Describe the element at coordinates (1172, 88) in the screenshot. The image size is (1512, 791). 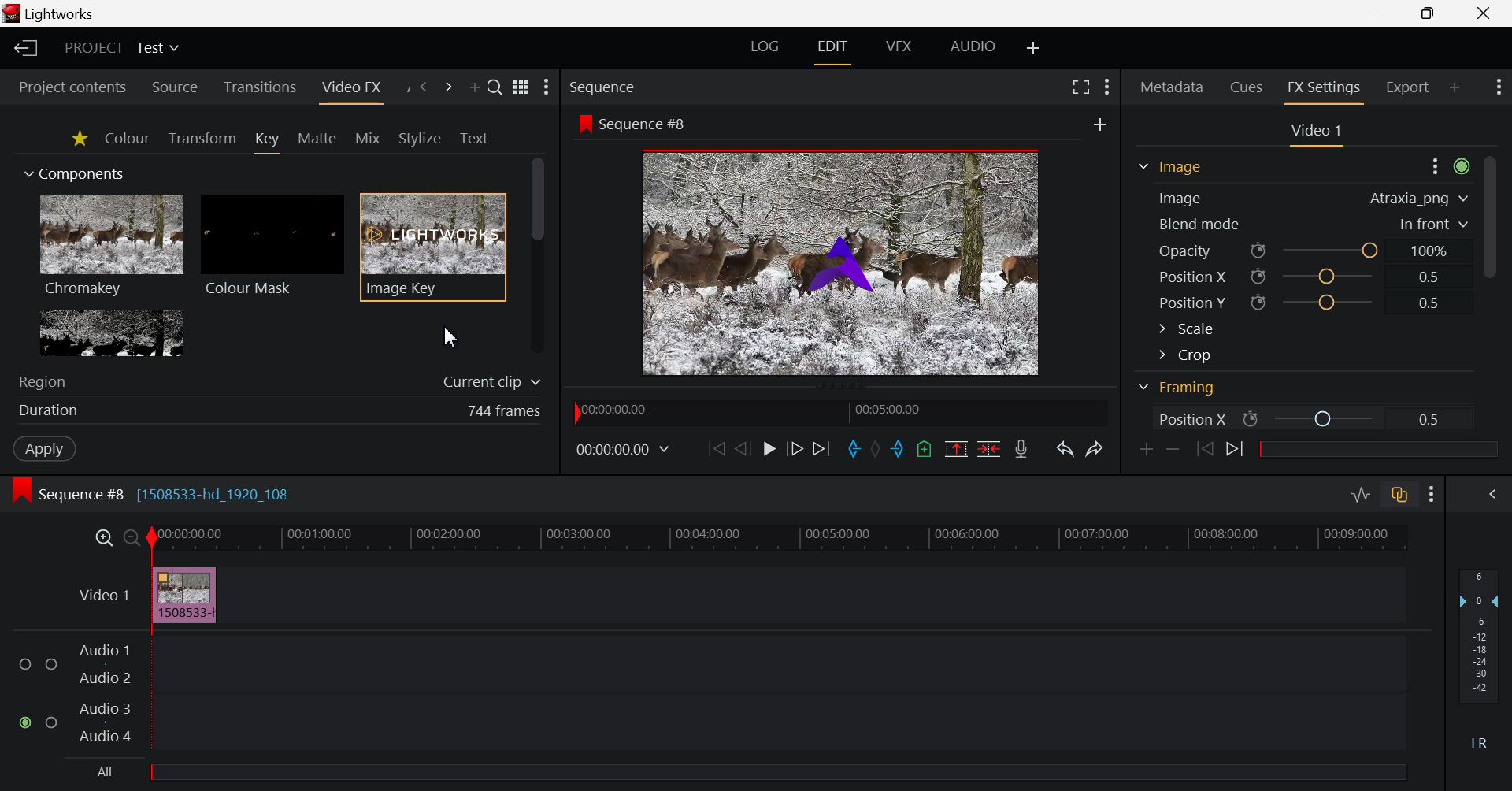
I see `Metadata` at that location.